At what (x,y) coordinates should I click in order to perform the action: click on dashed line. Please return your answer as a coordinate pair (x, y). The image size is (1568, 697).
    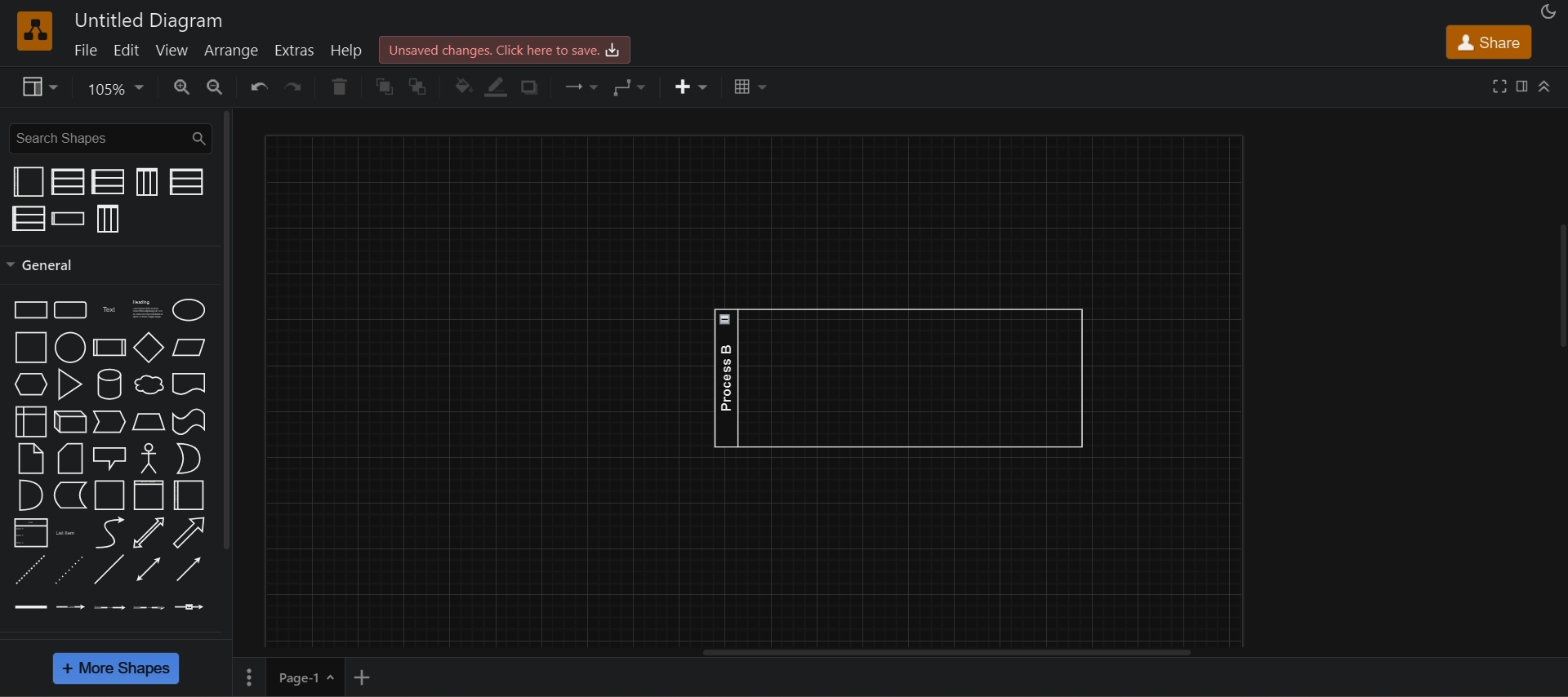
    Looking at the image, I should click on (27, 570).